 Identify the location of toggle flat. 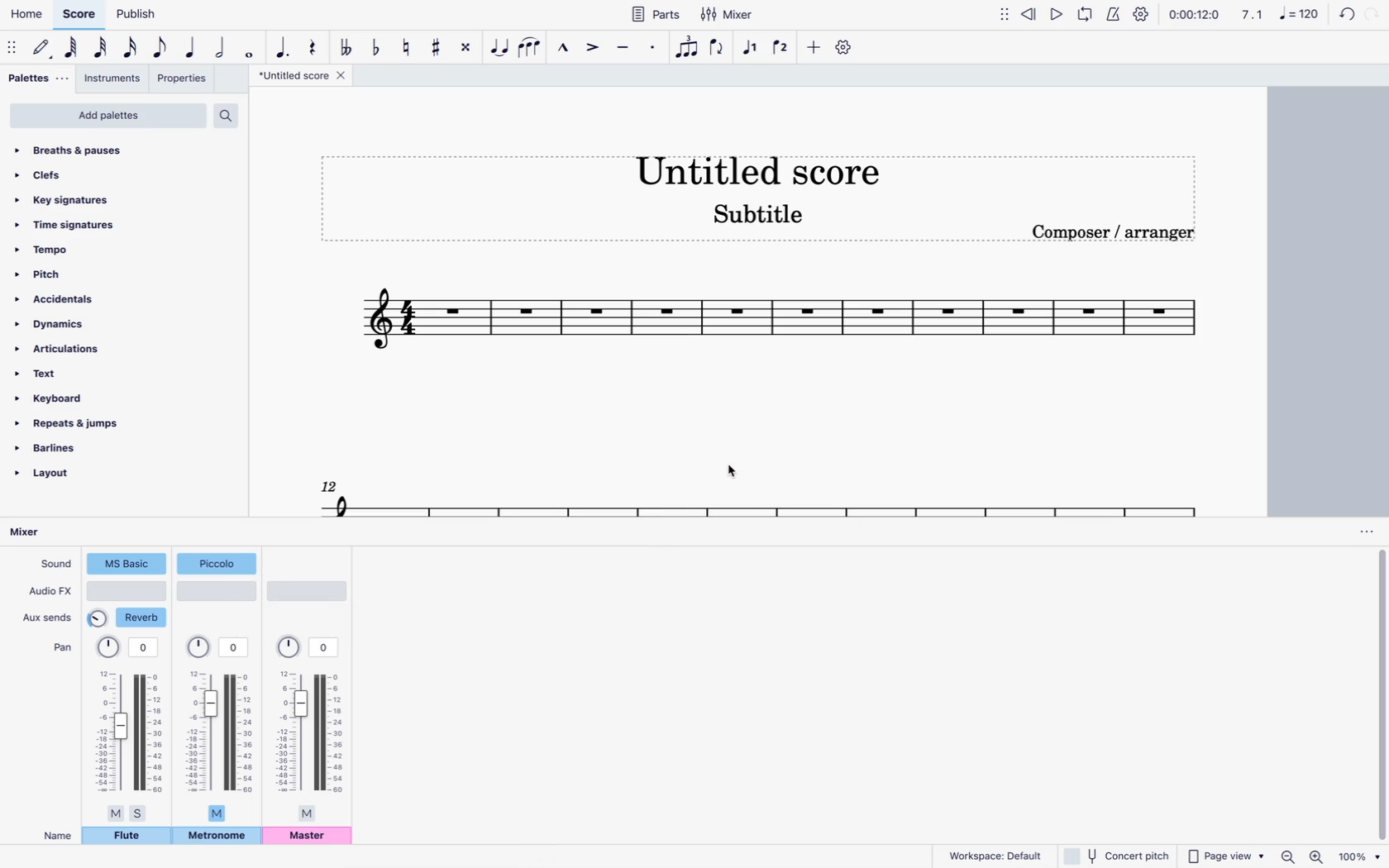
(376, 45).